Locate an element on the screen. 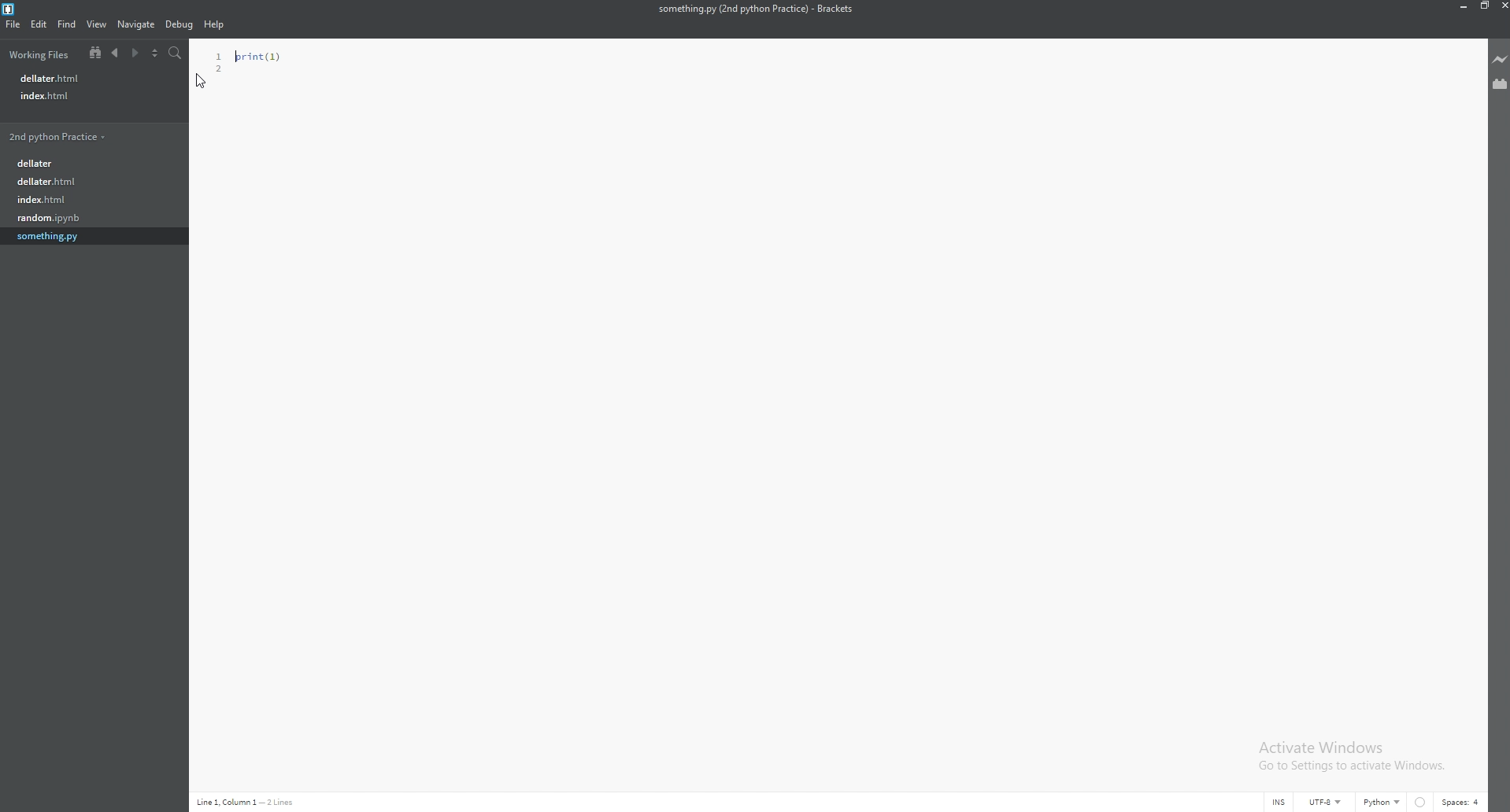 The height and width of the screenshot is (812, 1510). linter is located at coordinates (1423, 802).